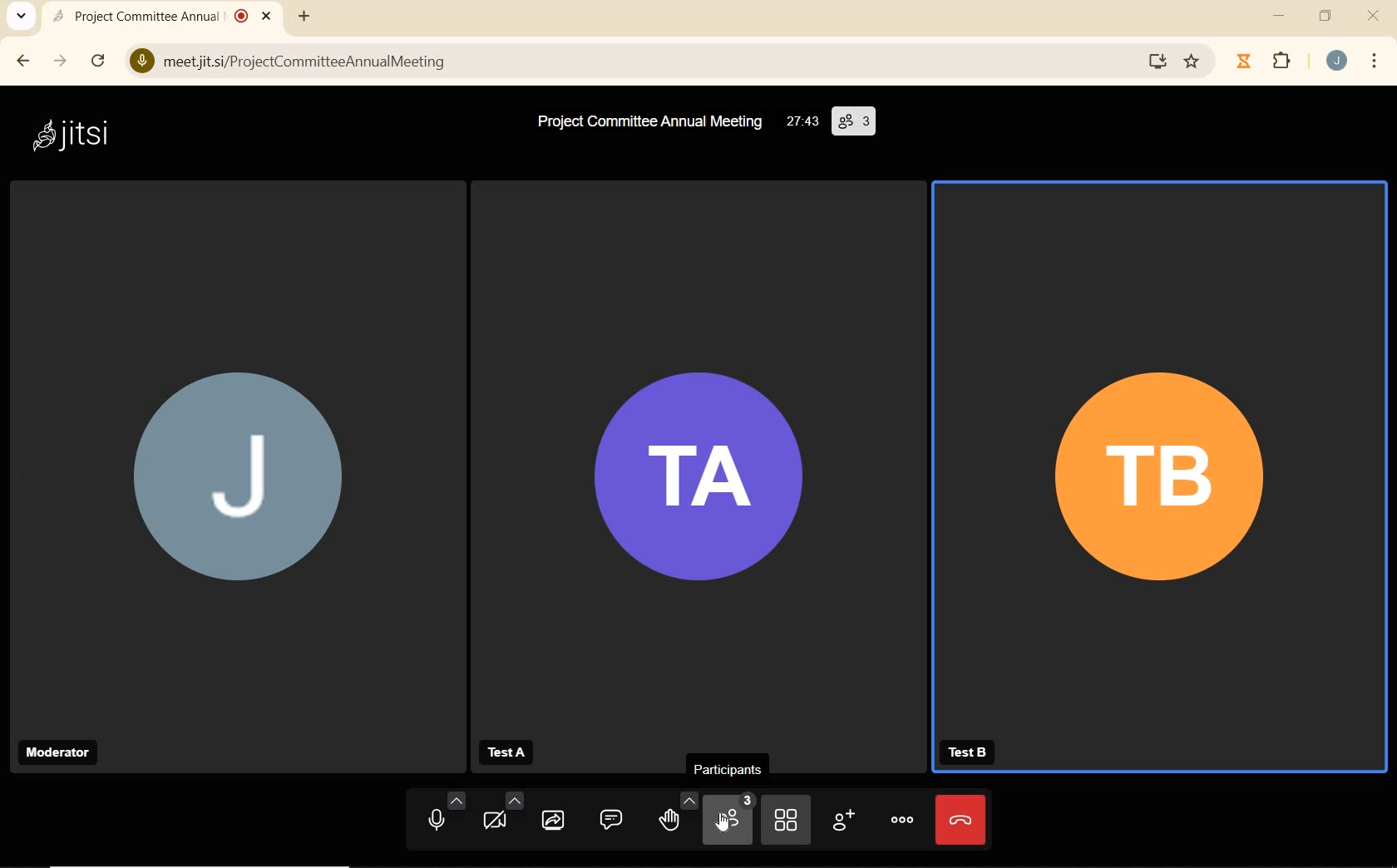  Describe the element at coordinates (241, 15) in the screenshot. I see `recording` at that location.